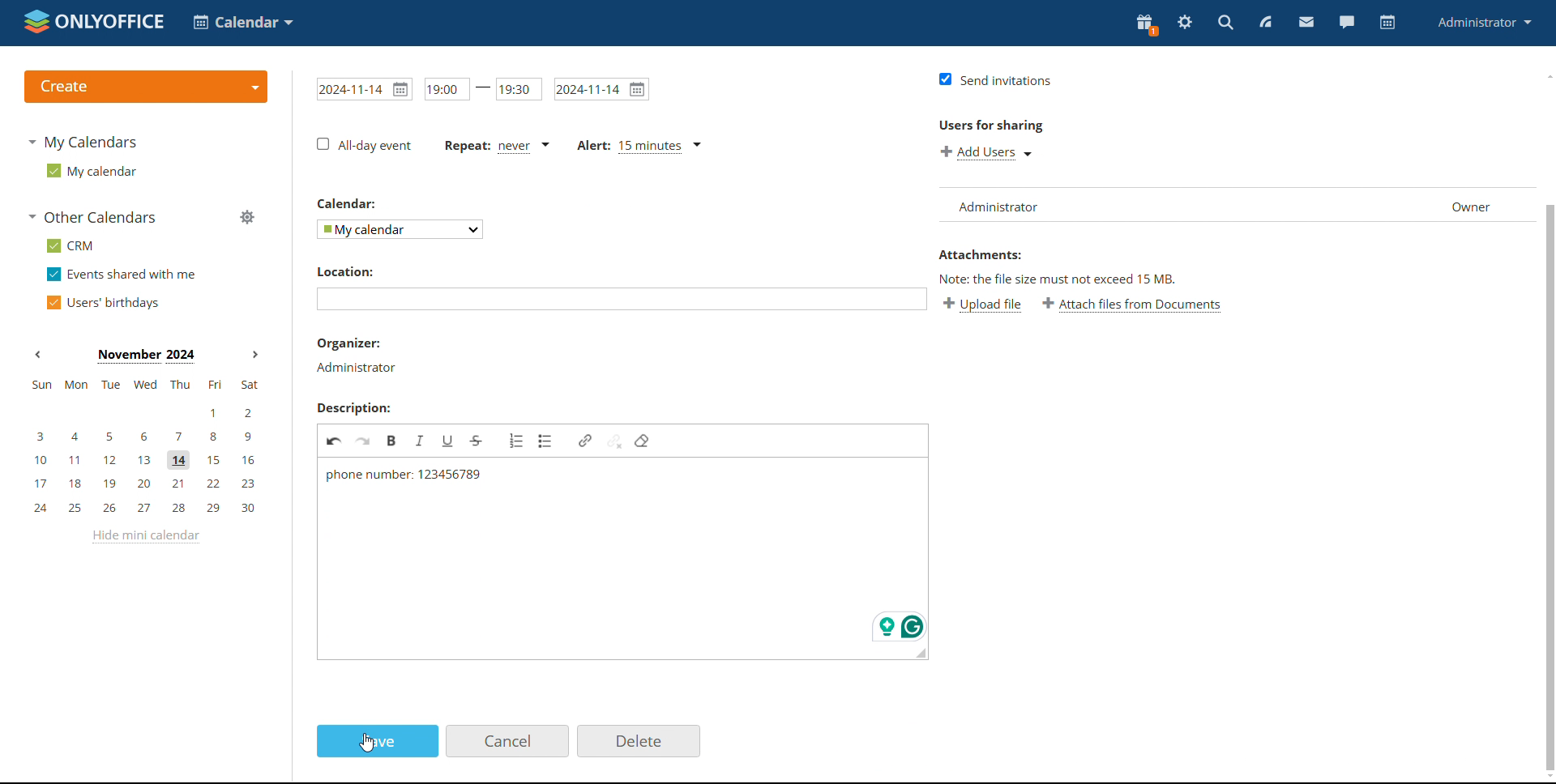 Image resolution: width=1556 pixels, height=784 pixels. I want to click on Description, so click(353, 407).